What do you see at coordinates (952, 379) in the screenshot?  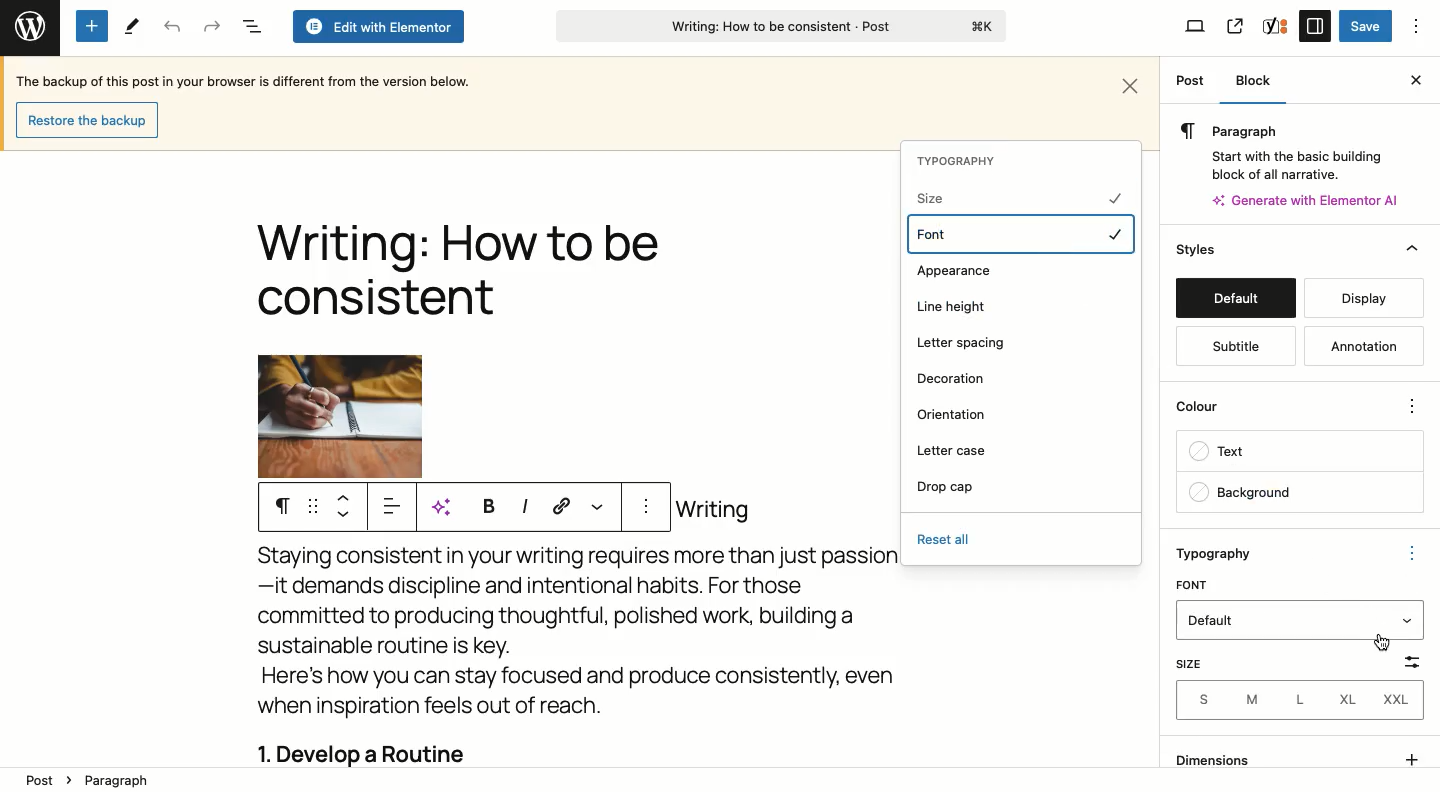 I see `Decoration` at bounding box center [952, 379].